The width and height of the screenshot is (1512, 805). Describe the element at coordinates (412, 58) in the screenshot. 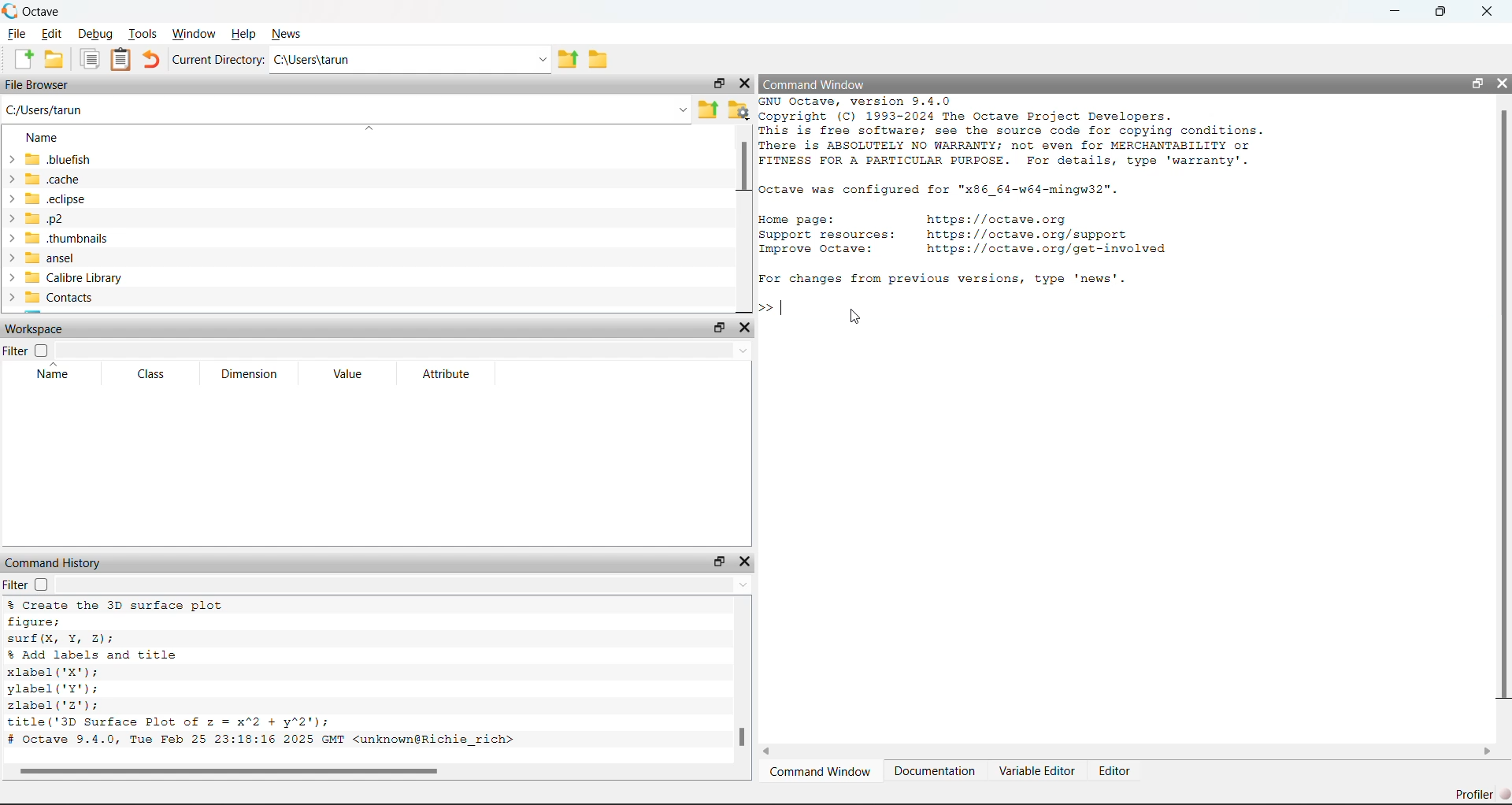

I see `C:\Users\tarun ` at that location.